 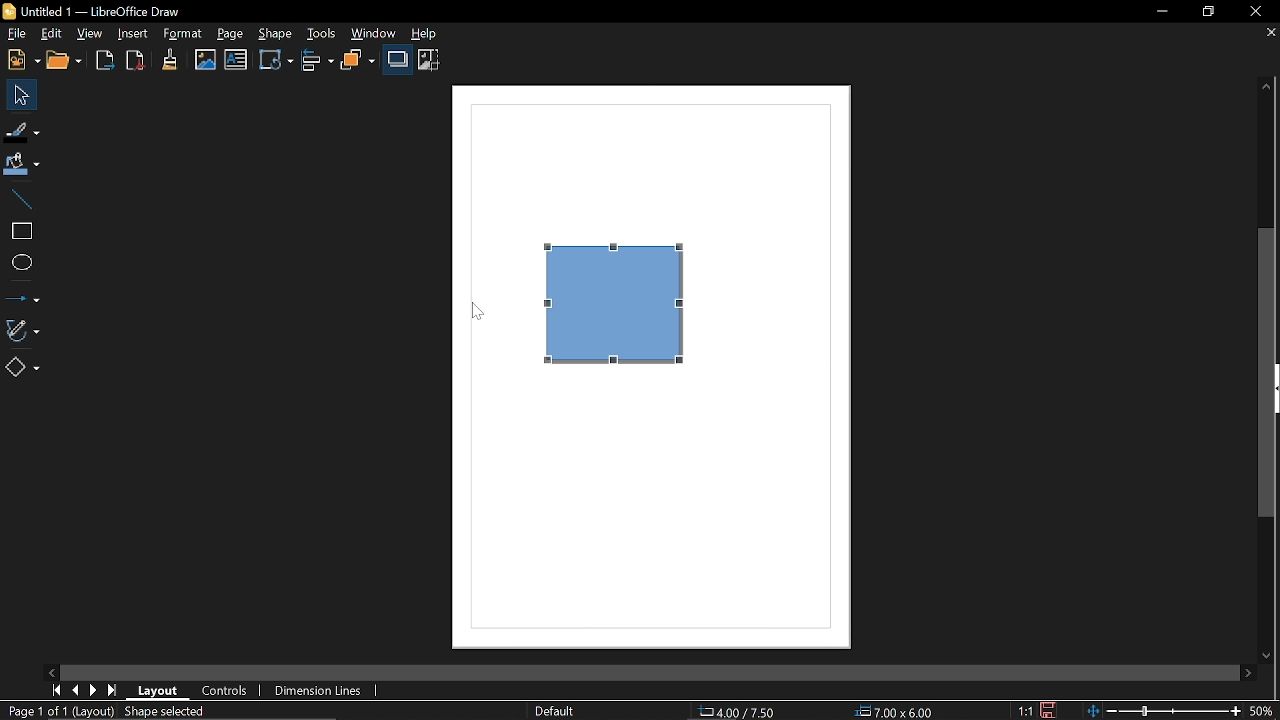 I want to click on Select, so click(x=20, y=95).